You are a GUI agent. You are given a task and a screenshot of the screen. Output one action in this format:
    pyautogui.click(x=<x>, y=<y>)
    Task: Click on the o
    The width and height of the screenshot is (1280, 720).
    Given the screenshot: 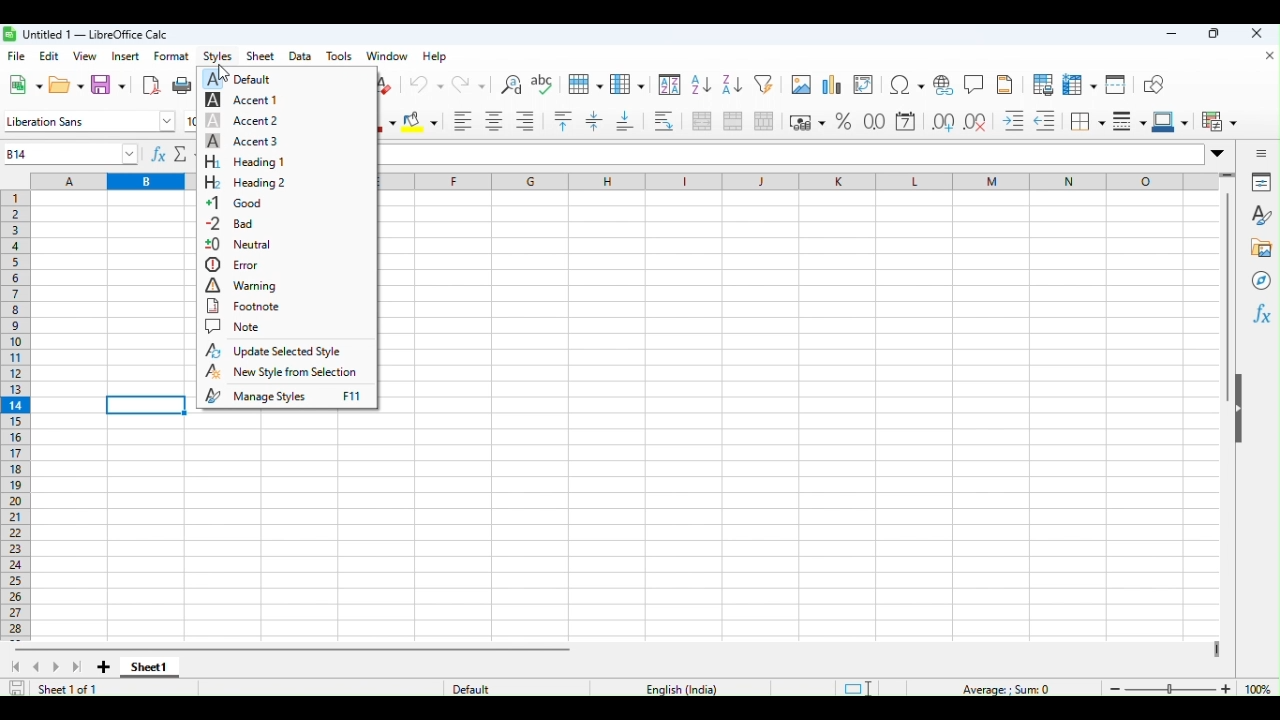 What is the action you would take?
    pyautogui.click(x=1150, y=182)
    